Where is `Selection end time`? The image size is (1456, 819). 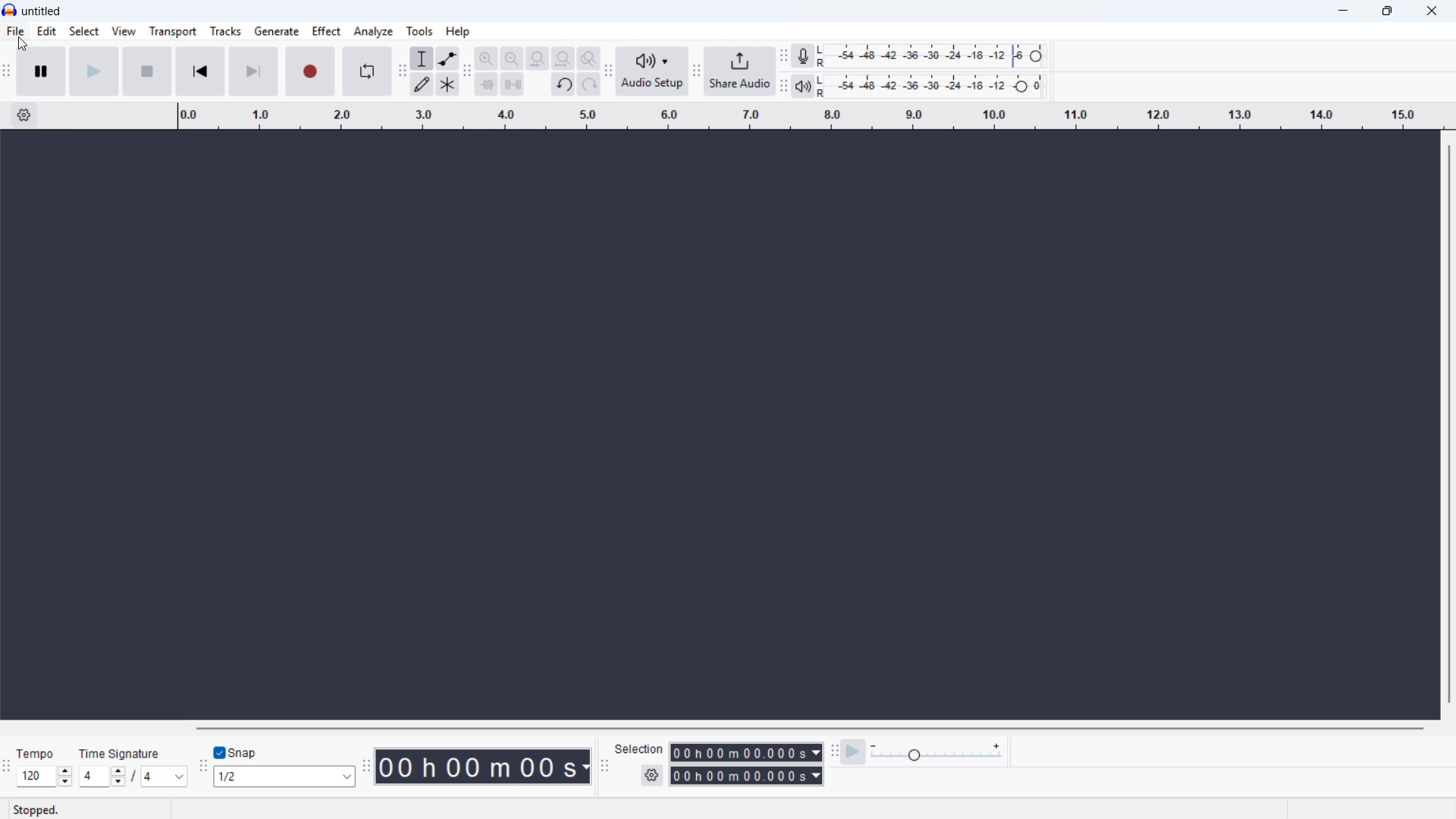
Selection end time is located at coordinates (745, 776).